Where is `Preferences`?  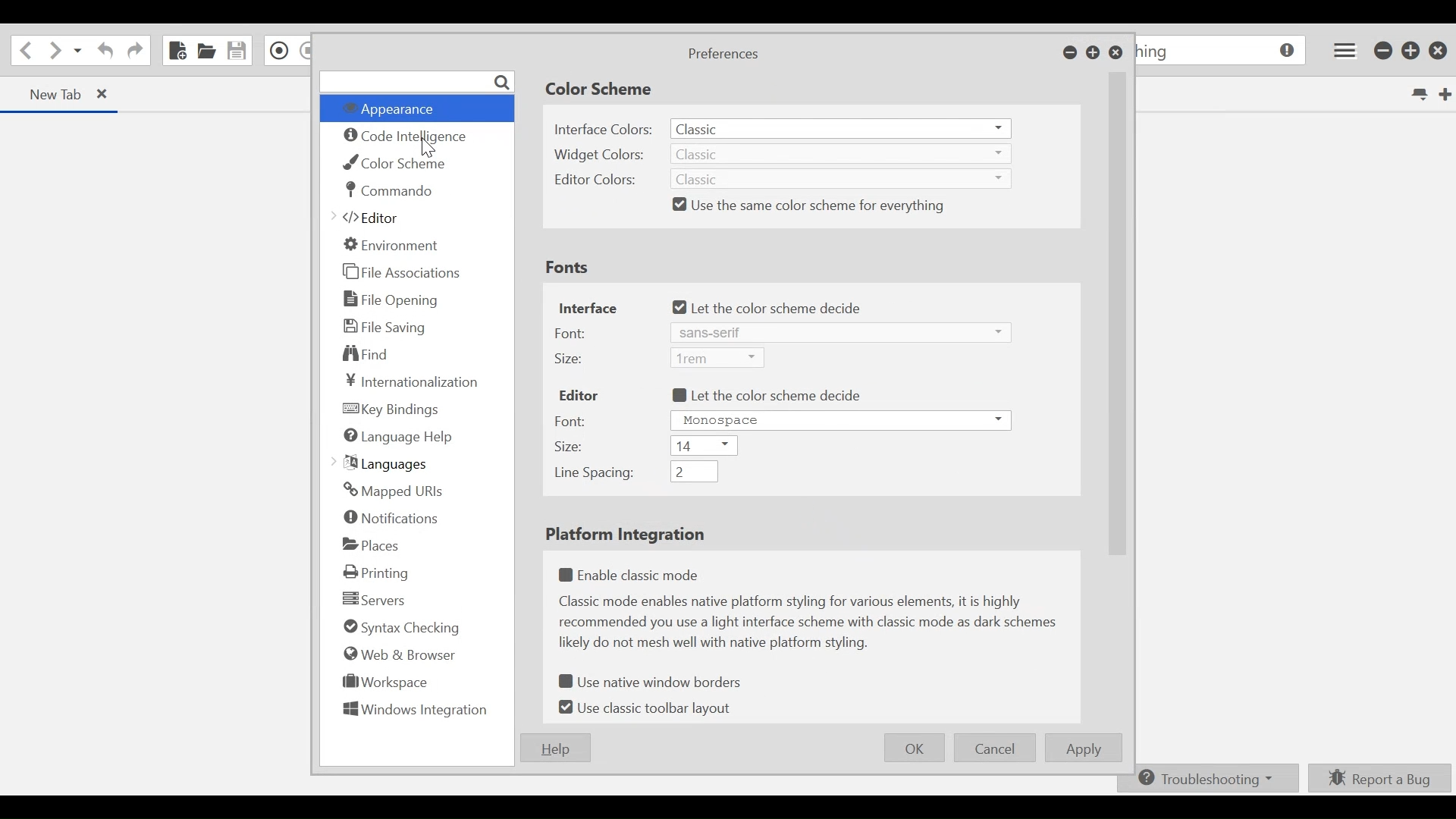
Preferences is located at coordinates (722, 55).